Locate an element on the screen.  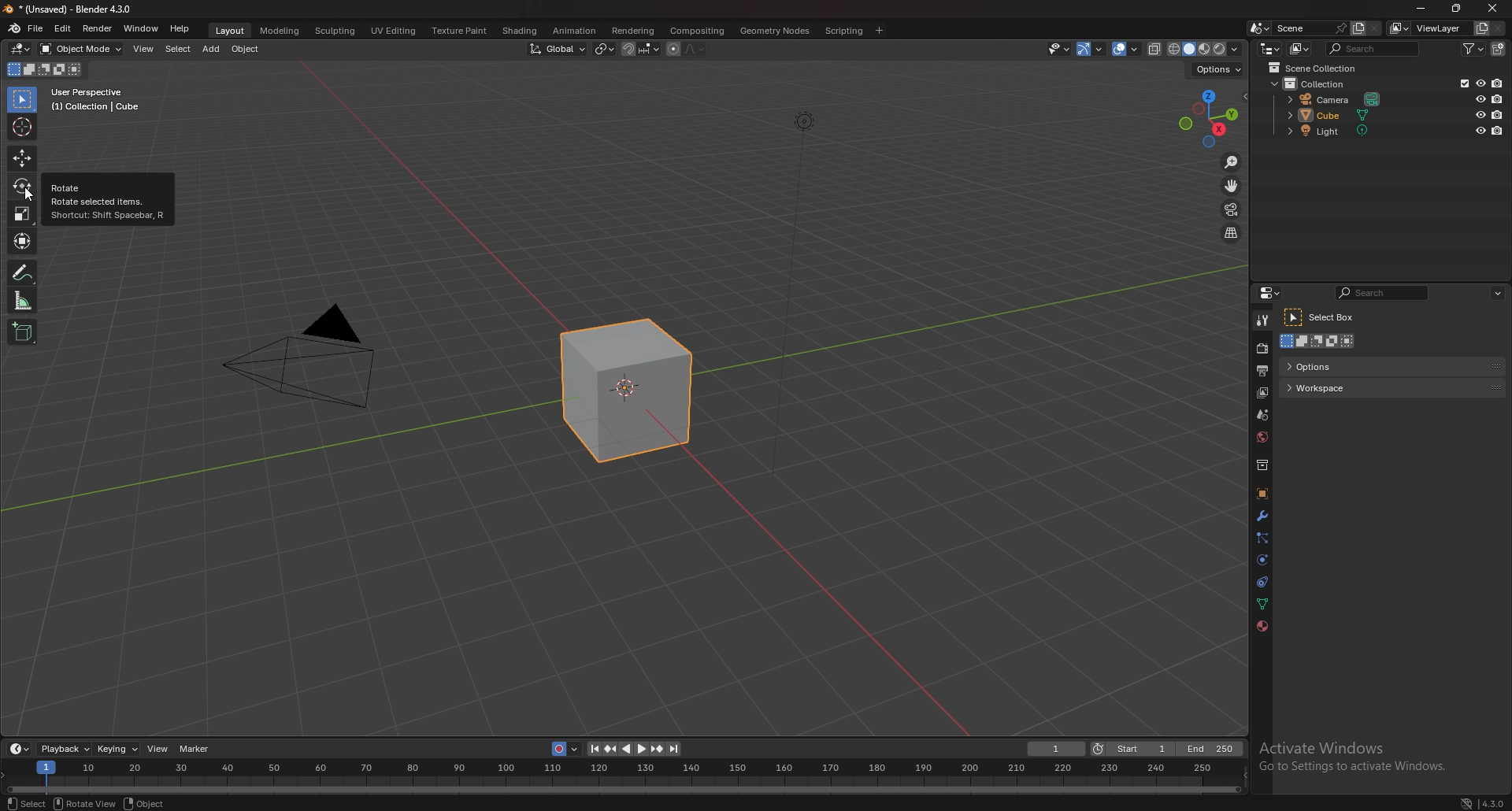
start is located at coordinates (1133, 749).